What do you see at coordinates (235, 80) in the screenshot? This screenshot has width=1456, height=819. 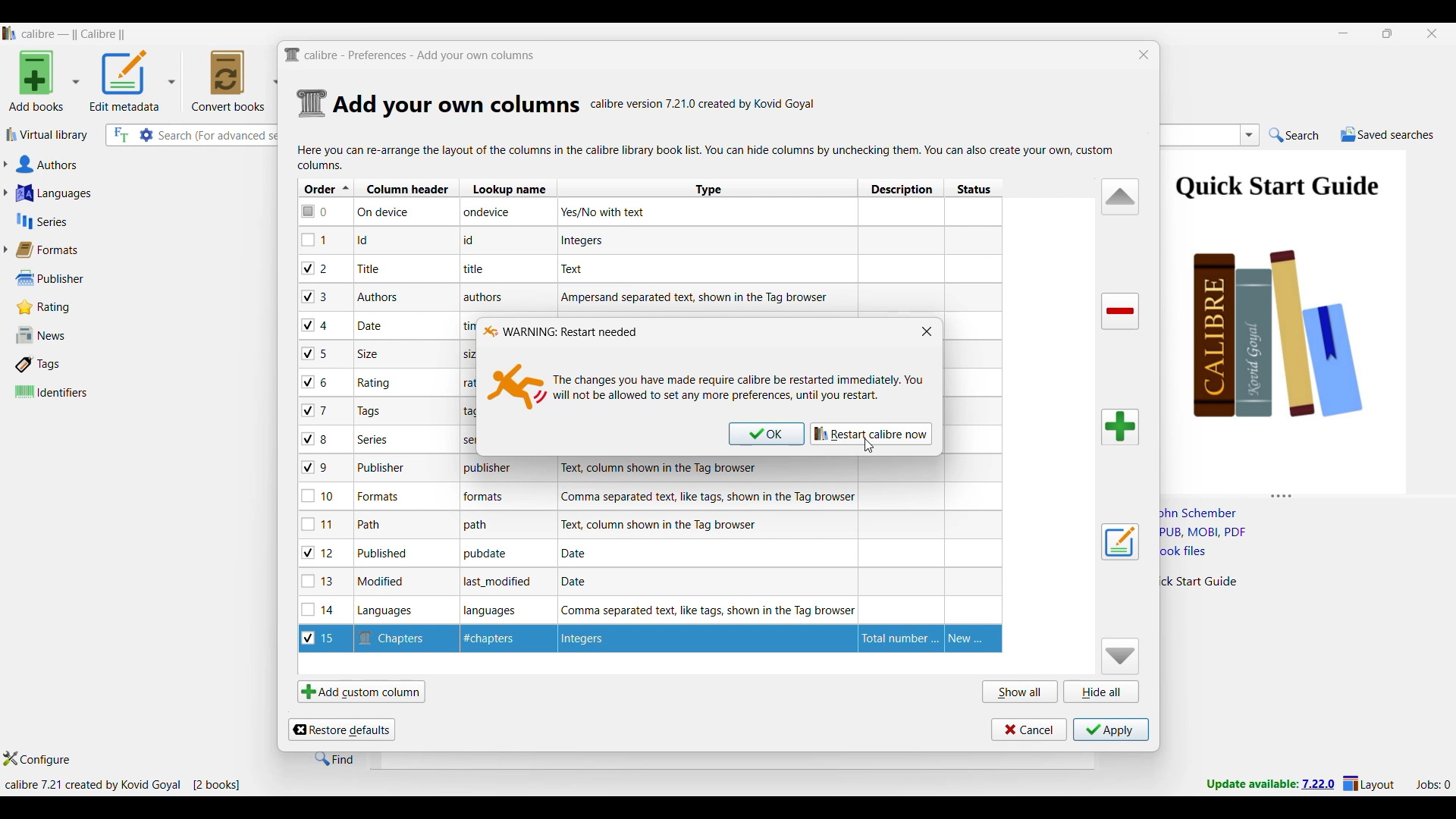 I see `Convert books options` at bounding box center [235, 80].